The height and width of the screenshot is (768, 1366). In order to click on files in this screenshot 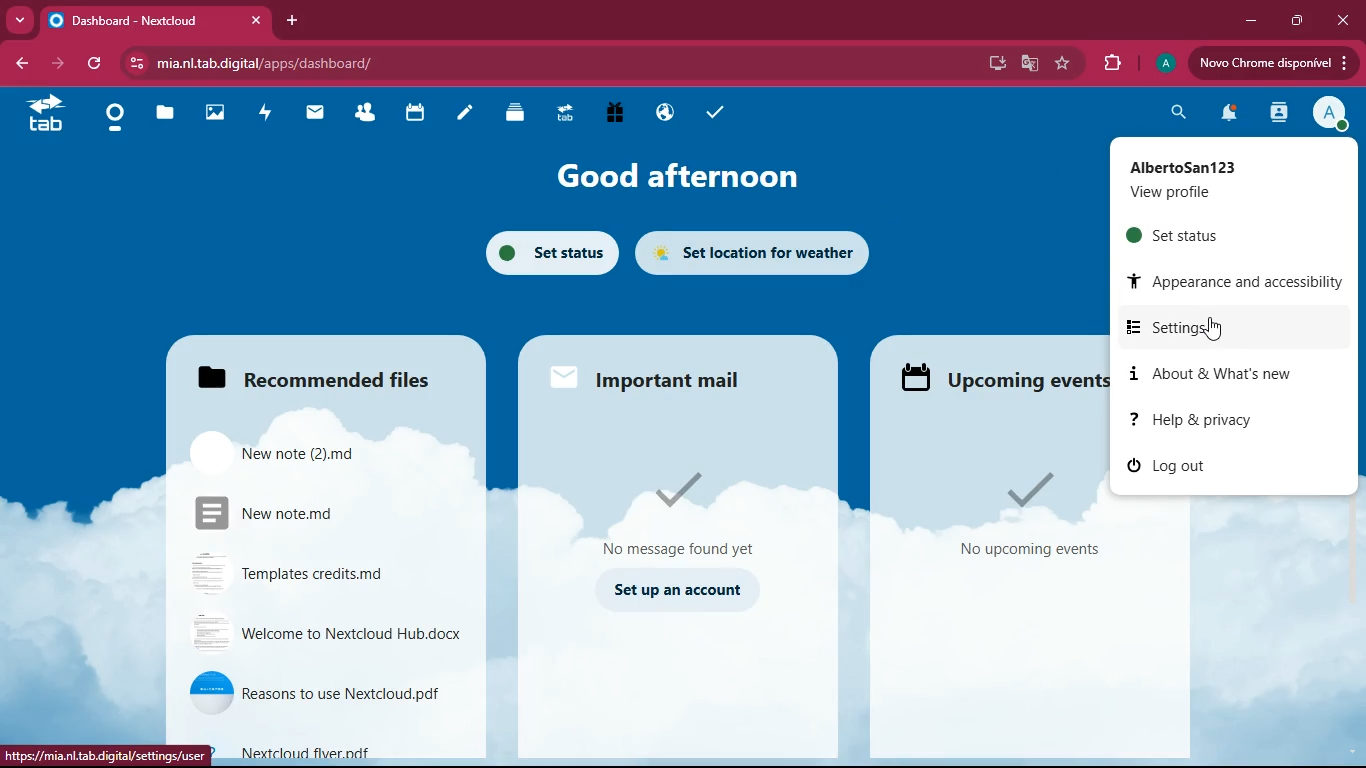, I will do `click(312, 375)`.